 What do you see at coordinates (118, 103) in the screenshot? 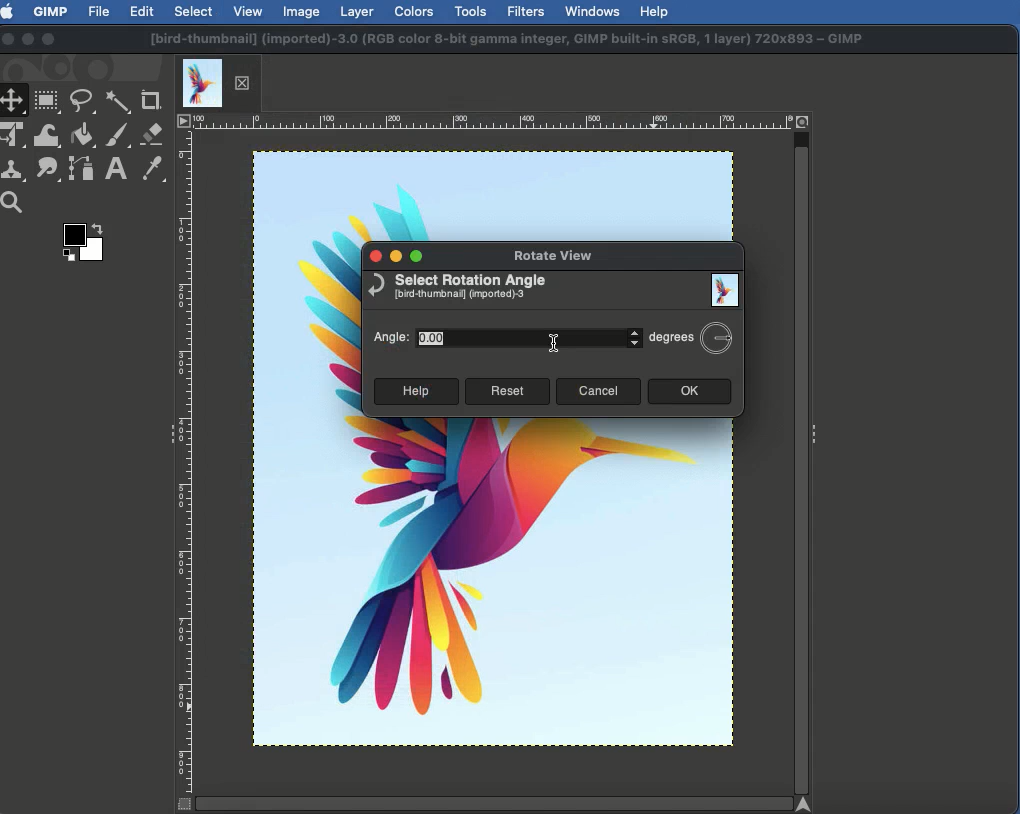
I see `Fuzzy selector` at bounding box center [118, 103].